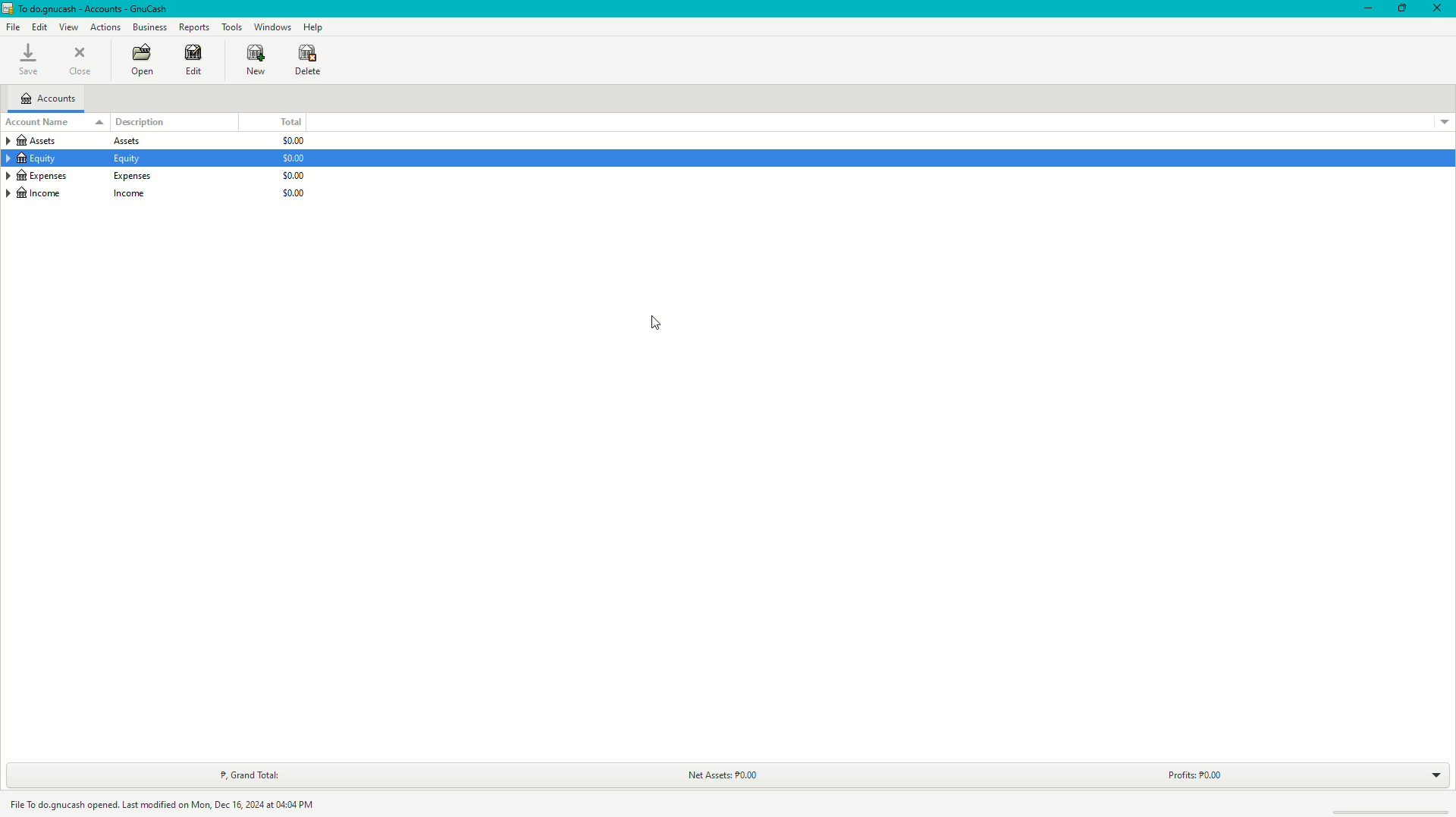  What do you see at coordinates (271, 27) in the screenshot?
I see `Windows` at bounding box center [271, 27].